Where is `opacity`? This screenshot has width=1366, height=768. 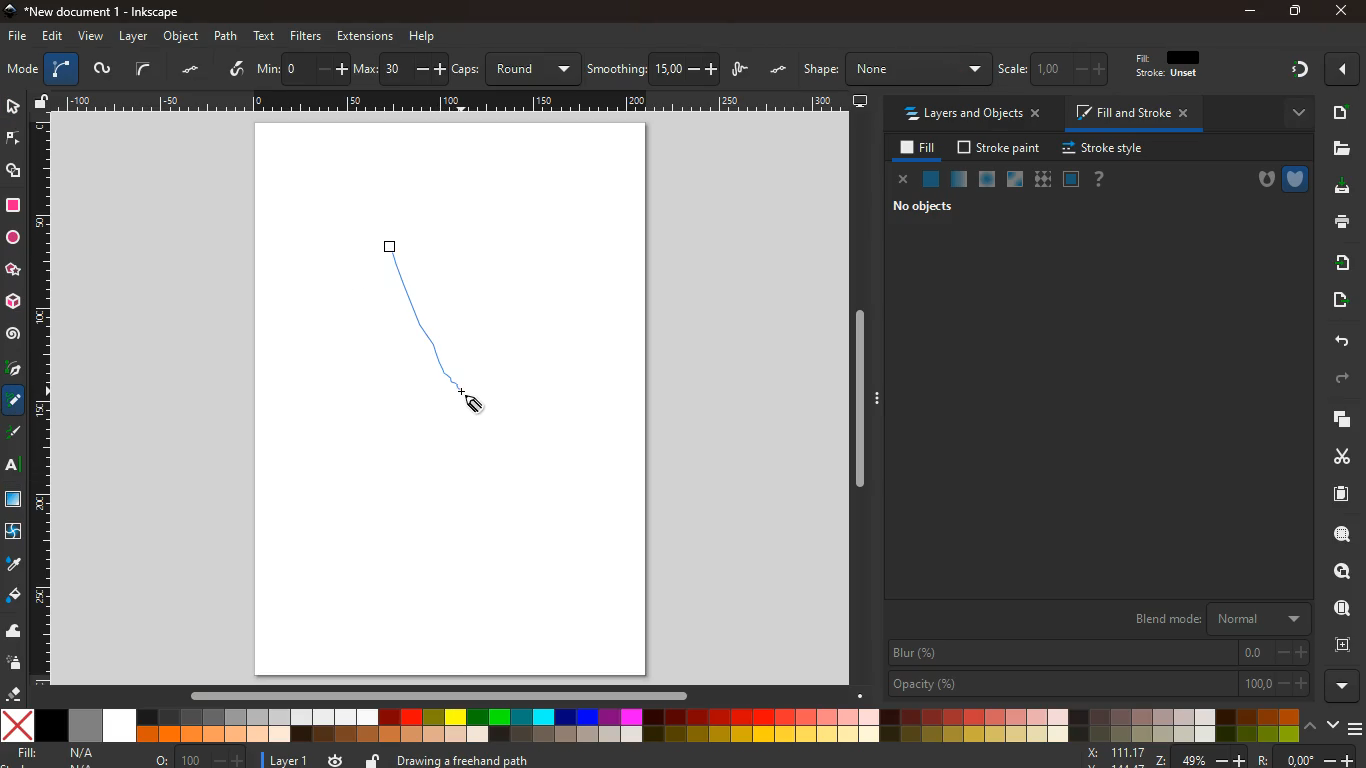
opacity is located at coordinates (988, 180).